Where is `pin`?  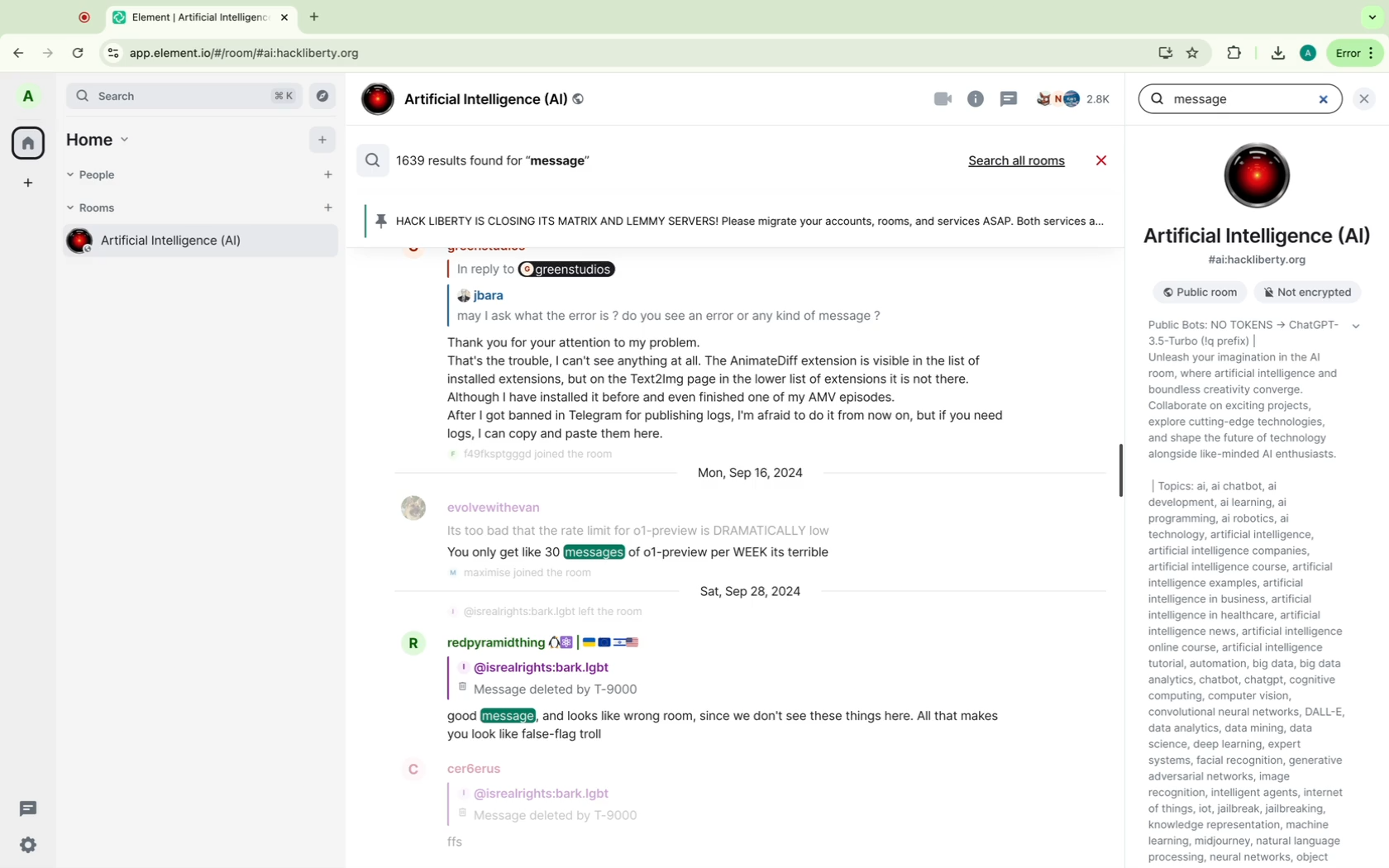 pin is located at coordinates (737, 222).